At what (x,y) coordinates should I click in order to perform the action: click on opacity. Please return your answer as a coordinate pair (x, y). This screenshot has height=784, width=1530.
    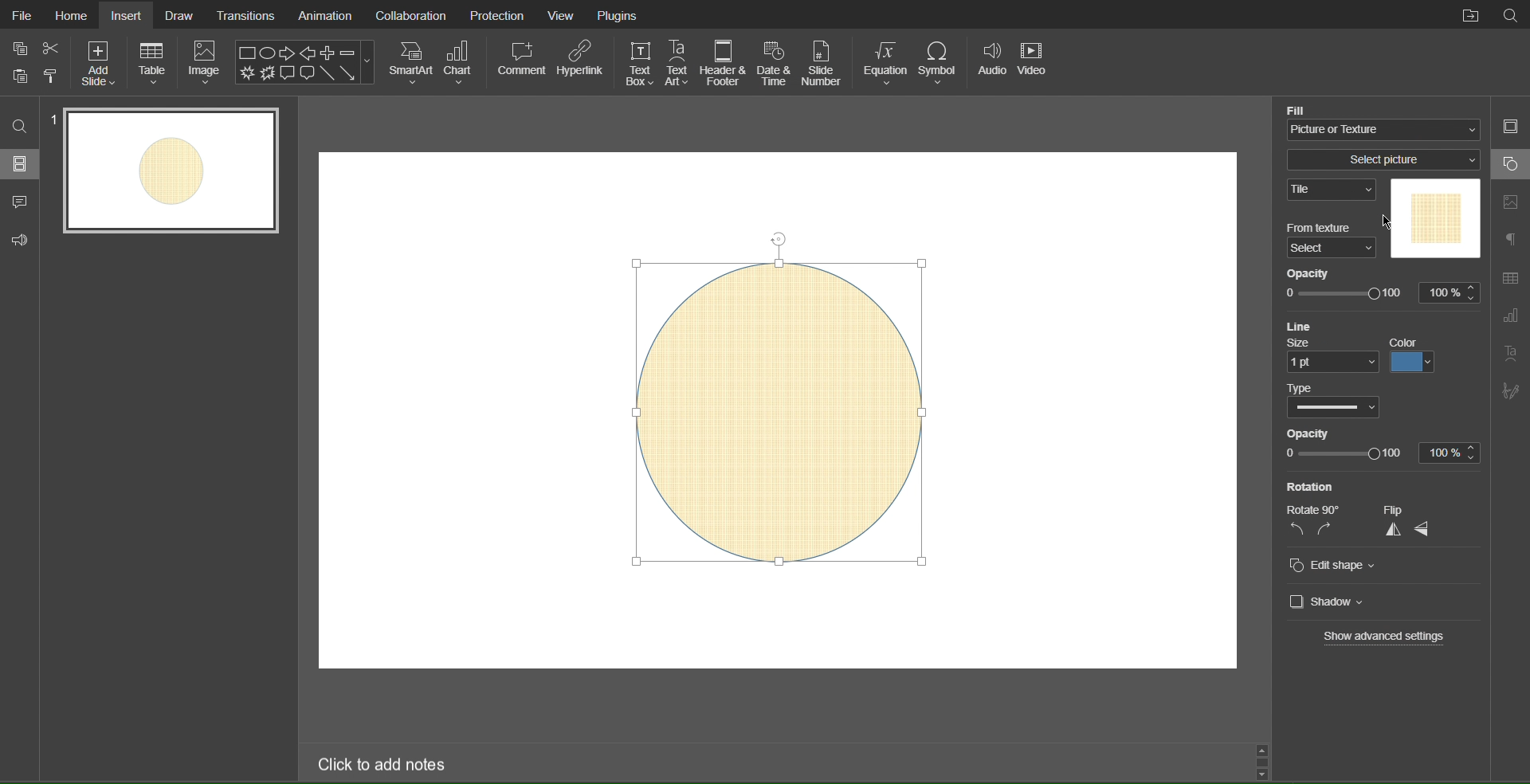
    Looking at the image, I should click on (1318, 433).